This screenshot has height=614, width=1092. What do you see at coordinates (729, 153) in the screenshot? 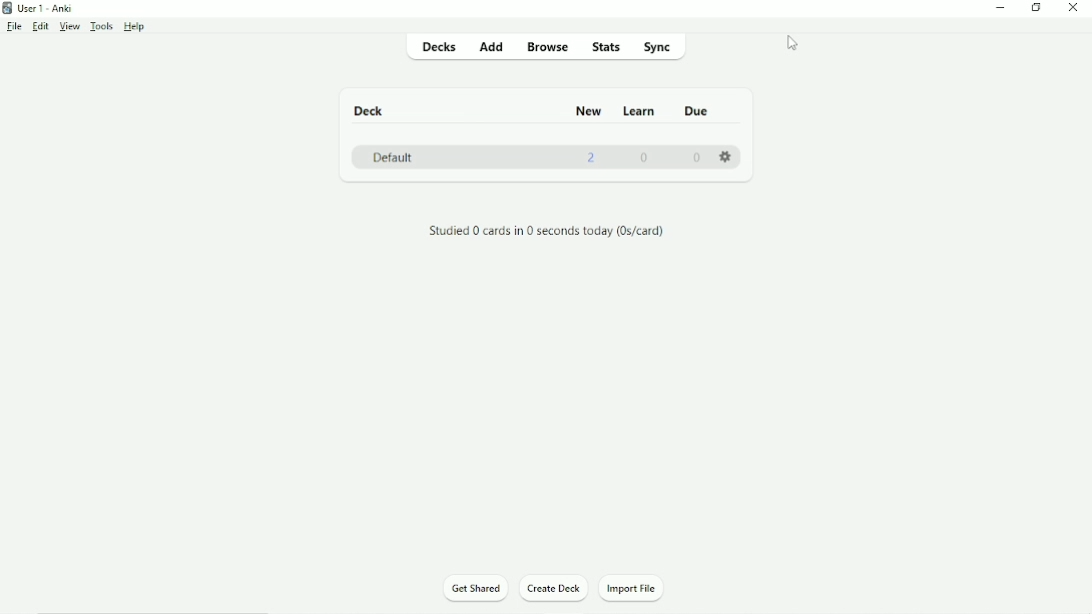
I see `Settings` at bounding box center [729, 153].